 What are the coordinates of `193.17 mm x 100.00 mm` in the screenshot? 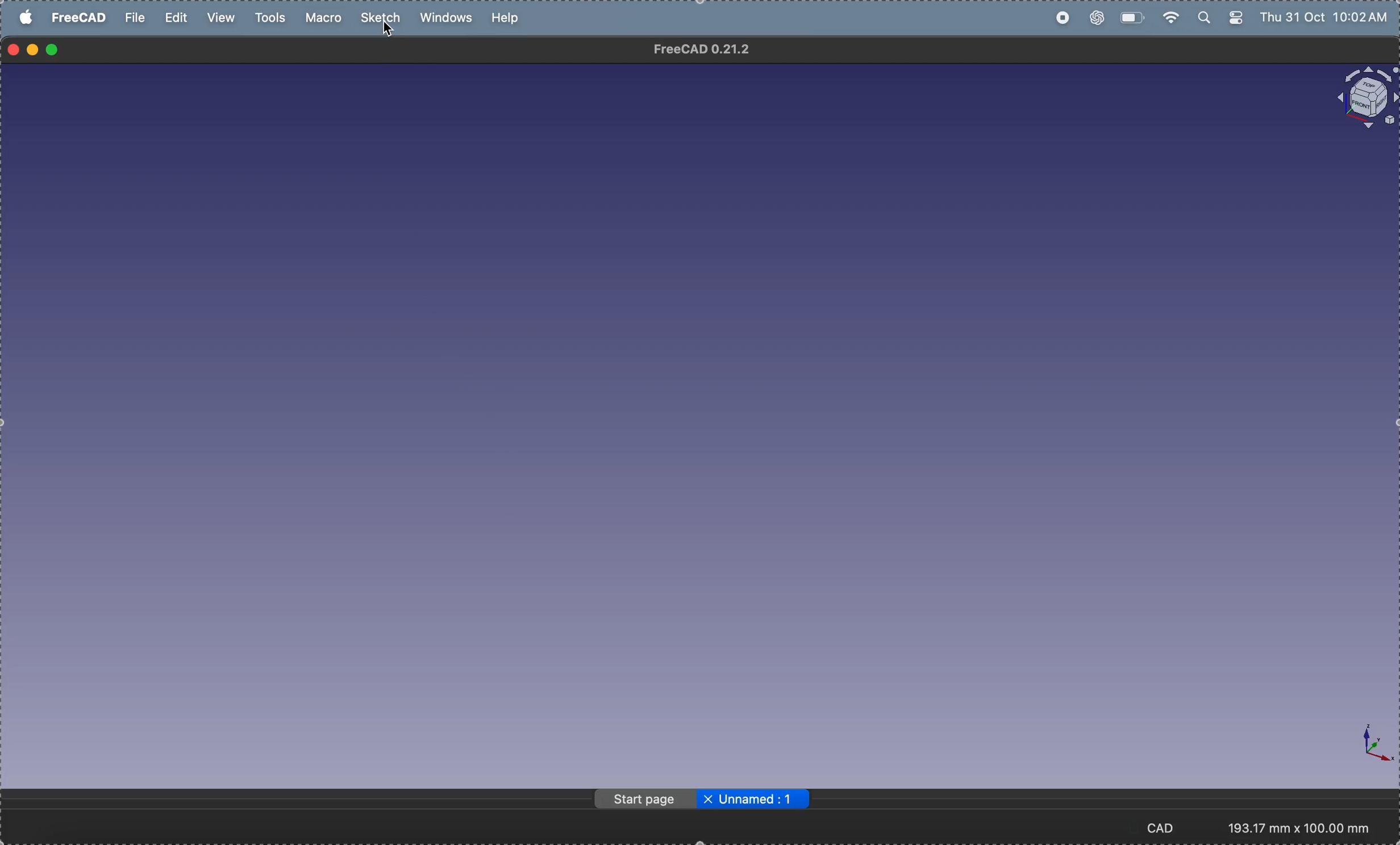 It's located at (1299, 828).